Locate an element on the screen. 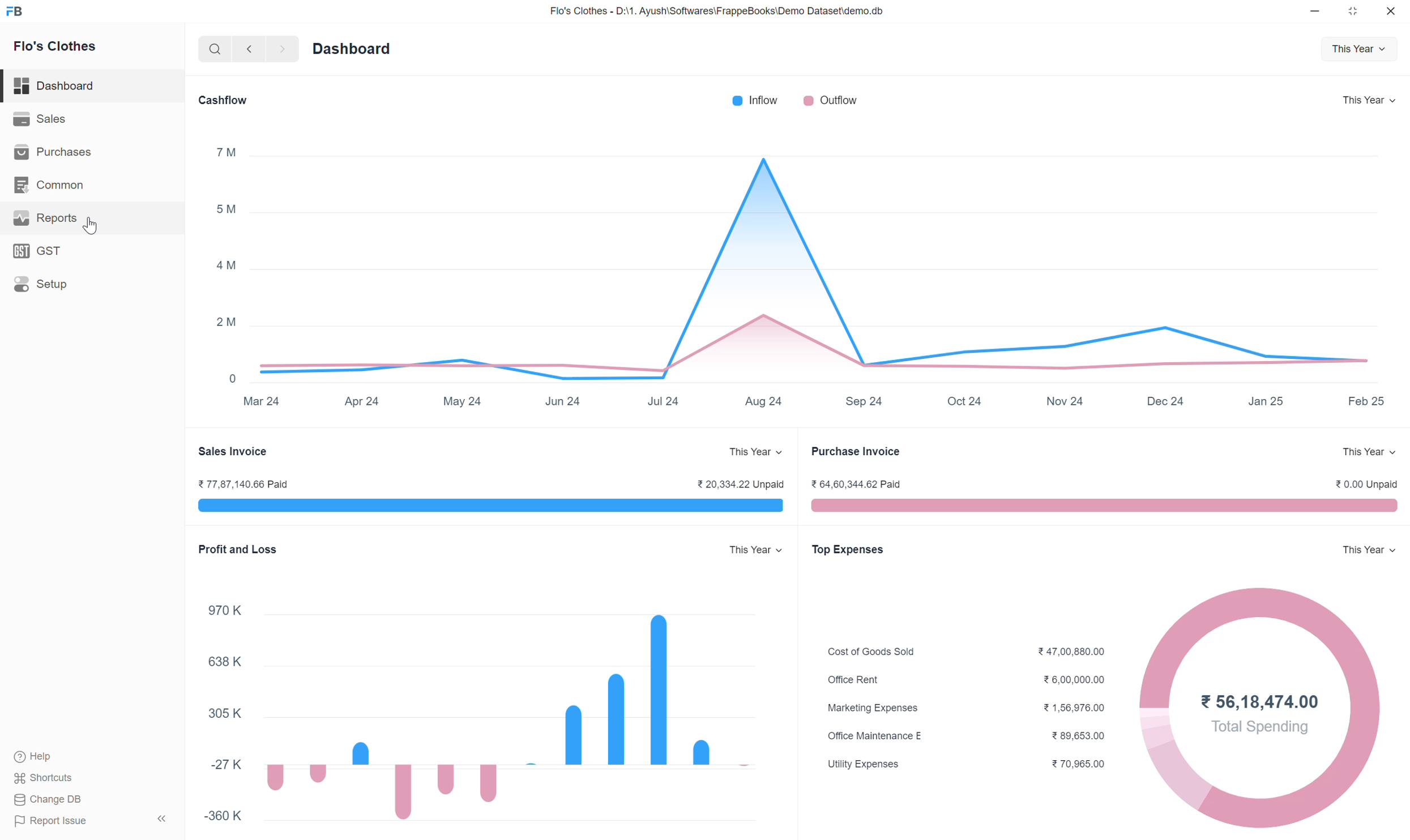 Image resolution: width=1410 pixels, height=840 pixels. aug 24 is located at coordinates (763, 401).